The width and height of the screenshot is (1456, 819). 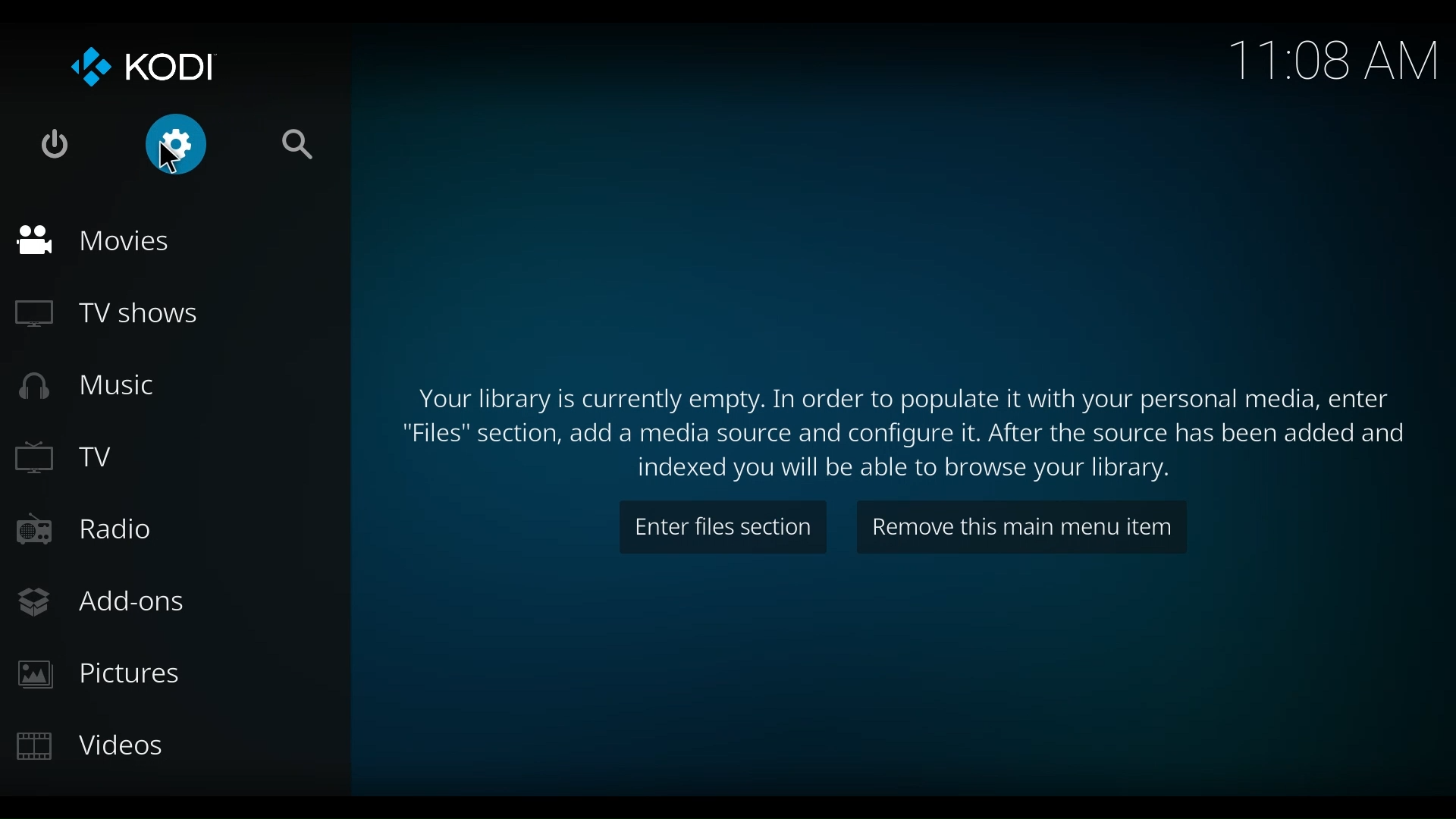 I want to click on indexed you will be able to browse the library, so click(x=906, y=469).